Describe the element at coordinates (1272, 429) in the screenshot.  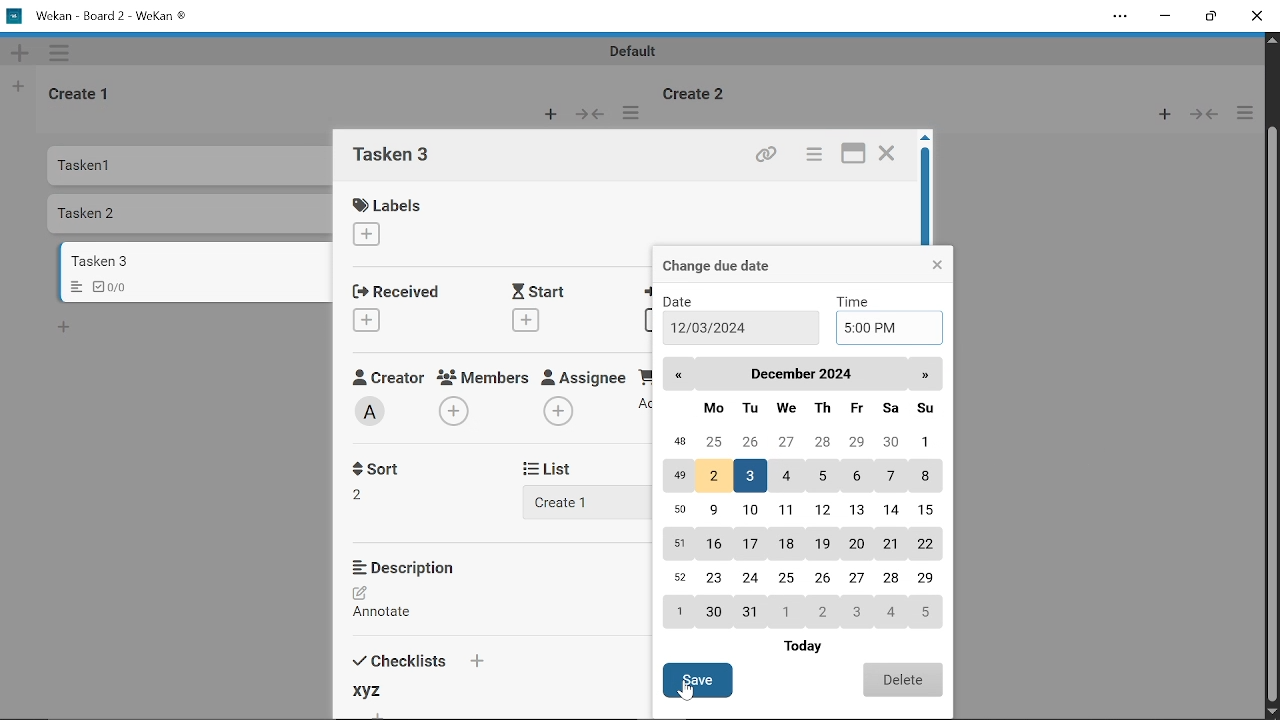
I see `Cursor` at that location.